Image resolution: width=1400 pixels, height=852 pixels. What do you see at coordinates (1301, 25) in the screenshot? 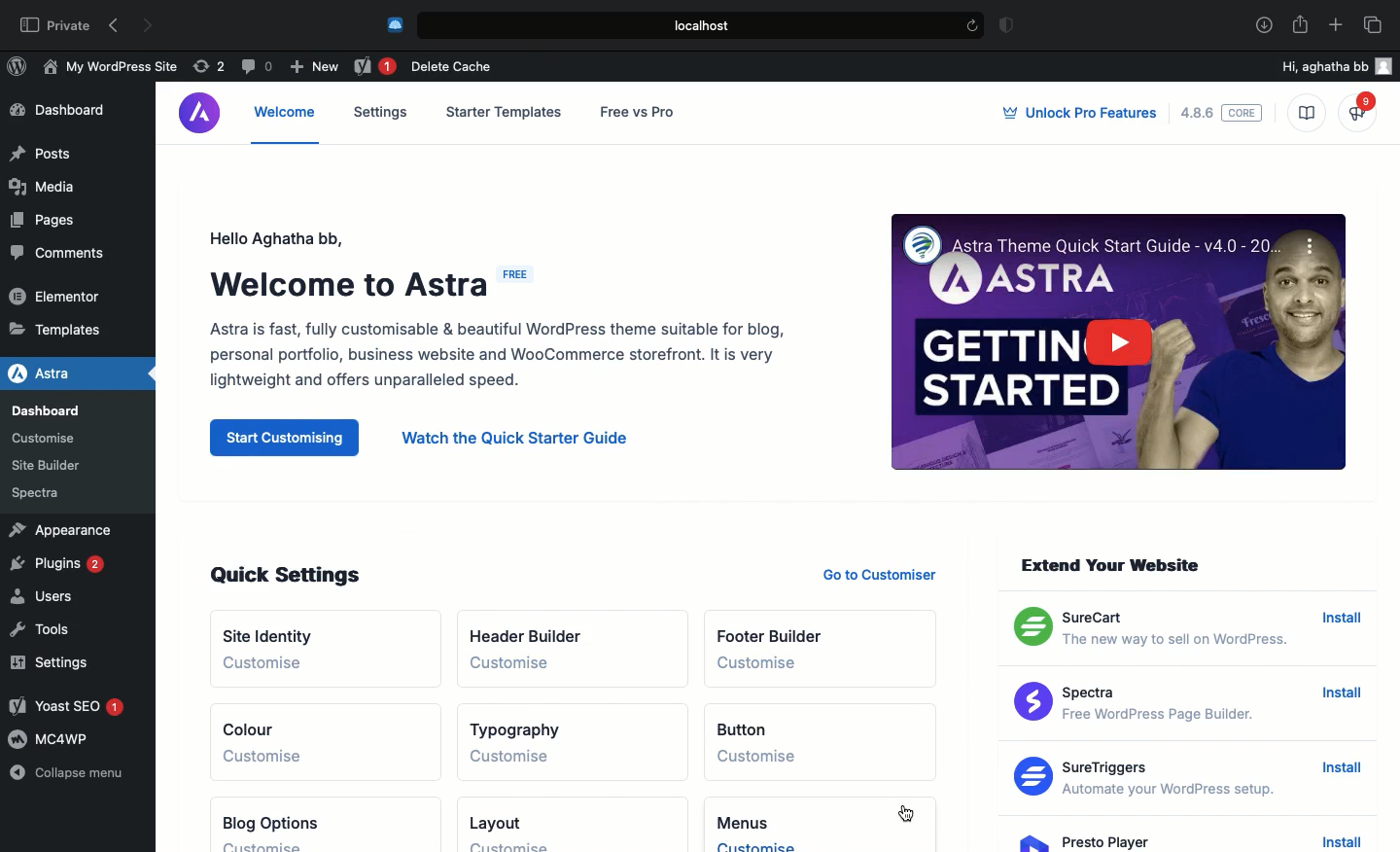
I see `Share` at bounding box center [1301, 25].